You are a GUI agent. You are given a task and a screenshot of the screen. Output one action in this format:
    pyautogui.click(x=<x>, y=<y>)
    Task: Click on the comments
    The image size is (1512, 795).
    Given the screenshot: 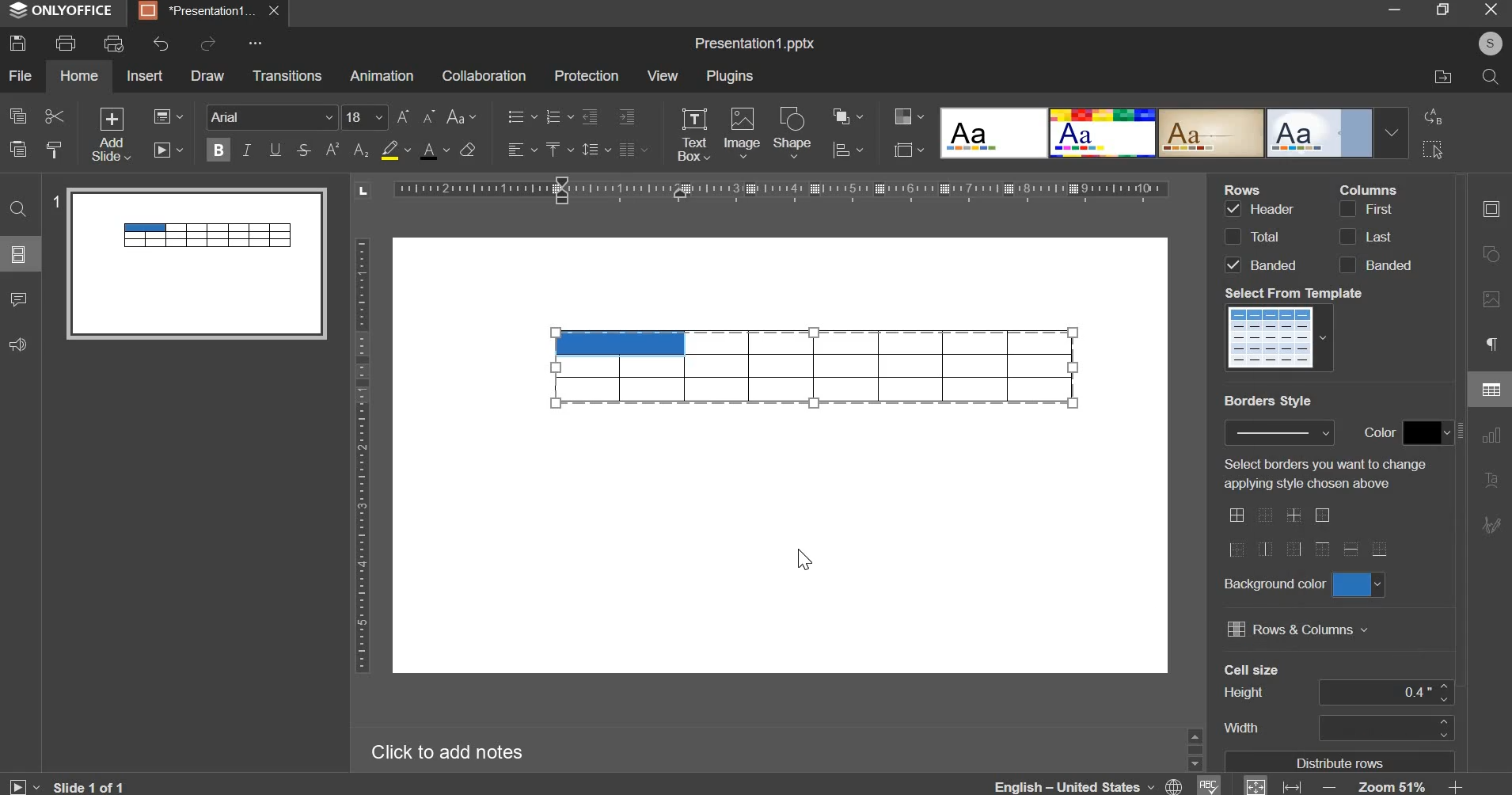 What is the action you would take?
    pyautogui.click(x=18, y=299)
    